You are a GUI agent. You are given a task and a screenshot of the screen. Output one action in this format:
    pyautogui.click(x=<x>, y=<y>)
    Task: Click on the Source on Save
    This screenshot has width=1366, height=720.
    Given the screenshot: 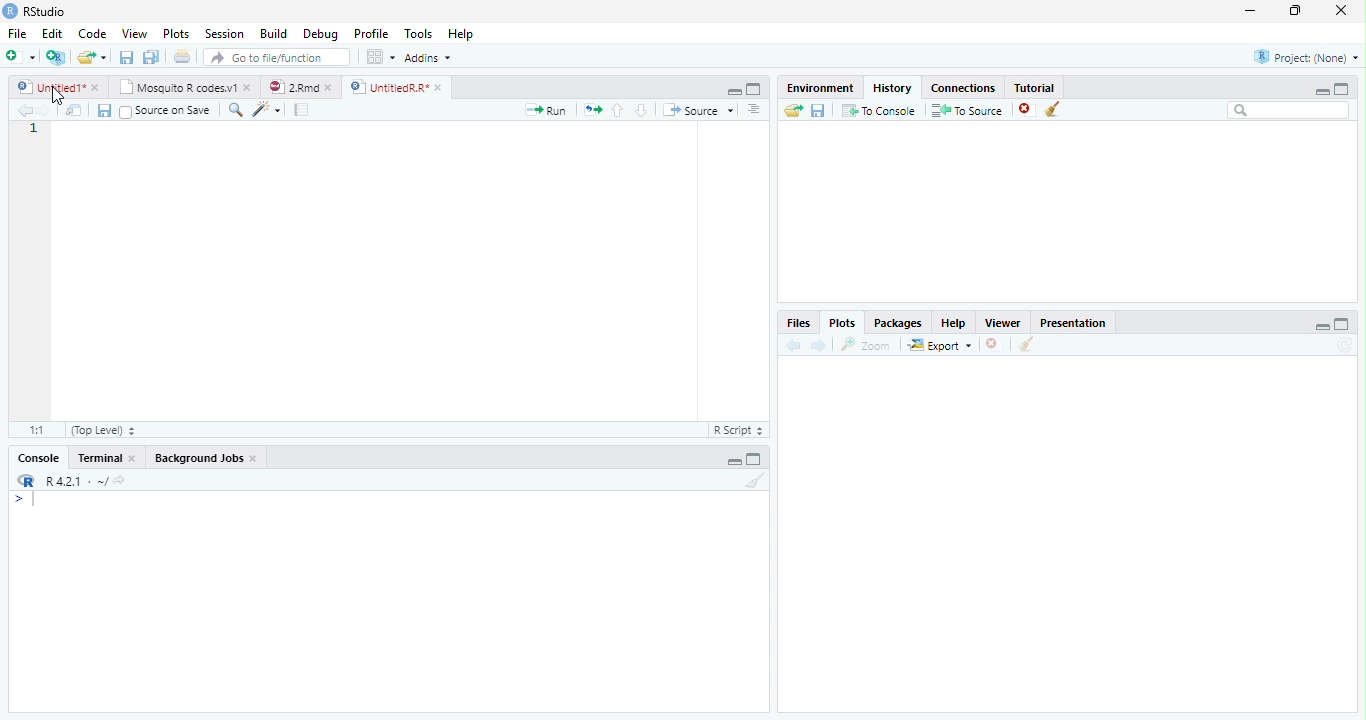 What is the action you would take?
    pyautogui.click(x=167, y=110)
    